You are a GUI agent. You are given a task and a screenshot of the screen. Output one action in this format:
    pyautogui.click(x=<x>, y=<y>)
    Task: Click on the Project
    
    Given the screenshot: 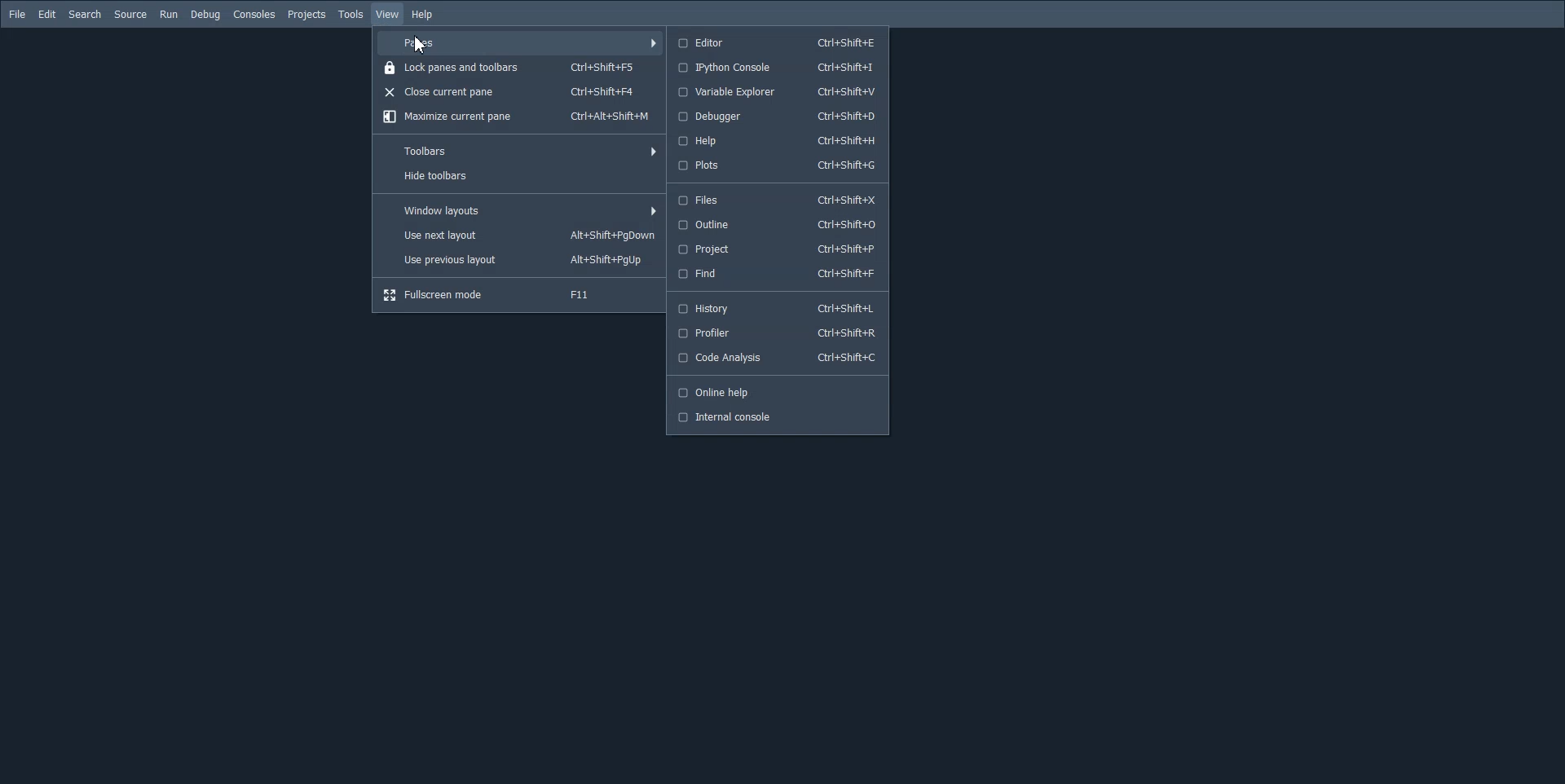 What is the action you would take?
    pyautogui.click(x=779, y=249)
    